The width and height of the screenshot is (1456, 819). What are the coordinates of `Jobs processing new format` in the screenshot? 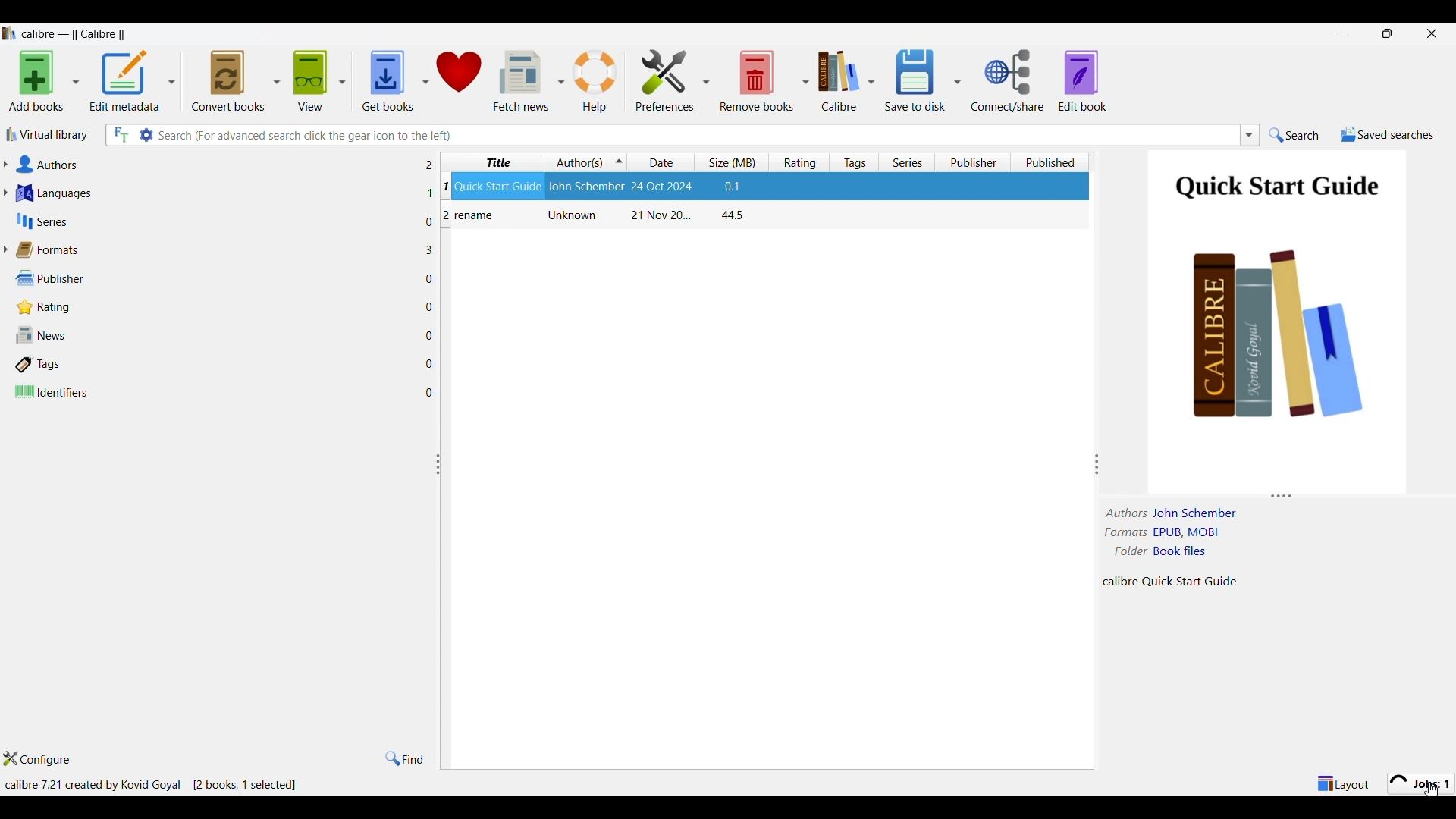 It's located at (1418, 782).